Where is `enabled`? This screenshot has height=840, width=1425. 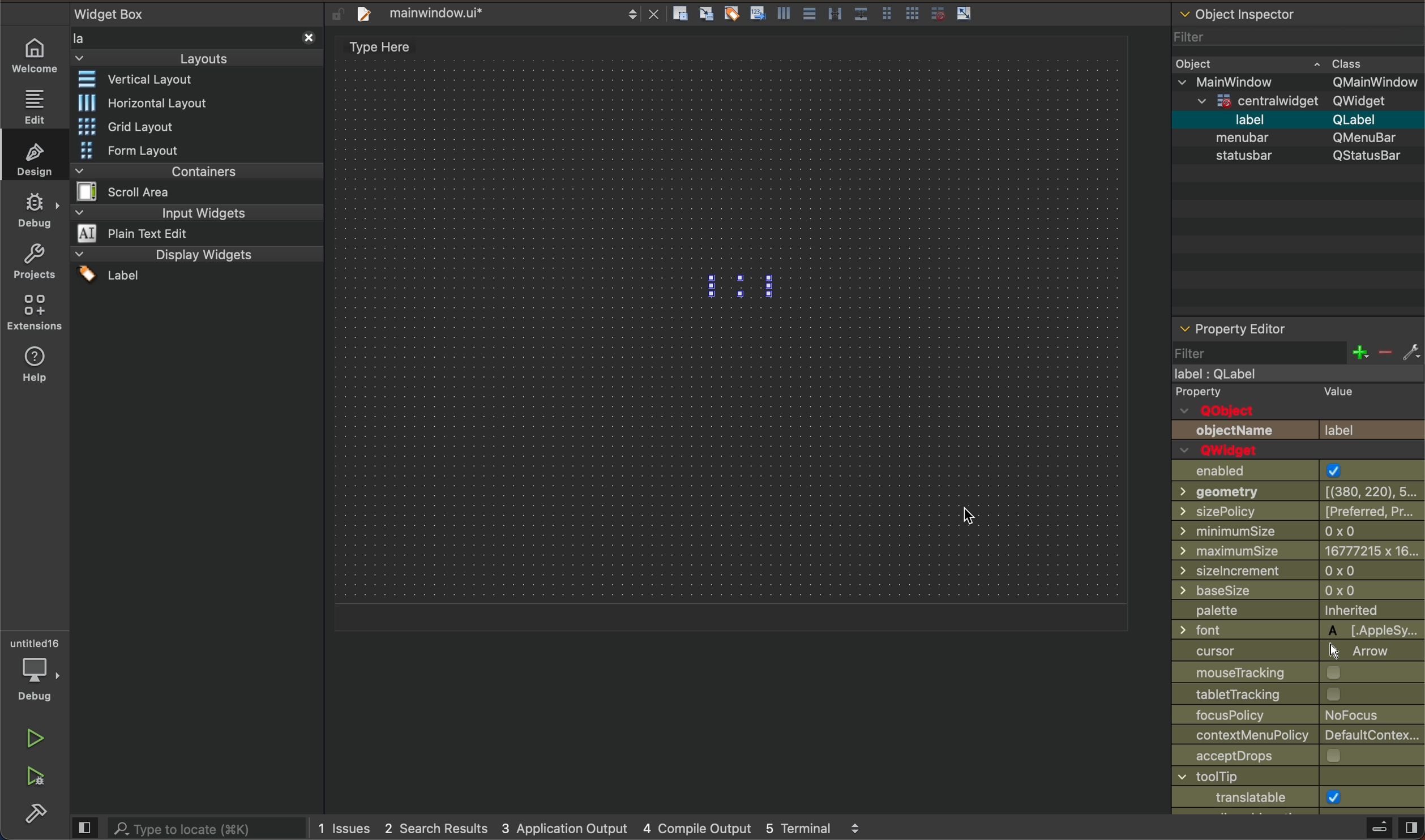
enabled is located at coordinates (1296, 470).